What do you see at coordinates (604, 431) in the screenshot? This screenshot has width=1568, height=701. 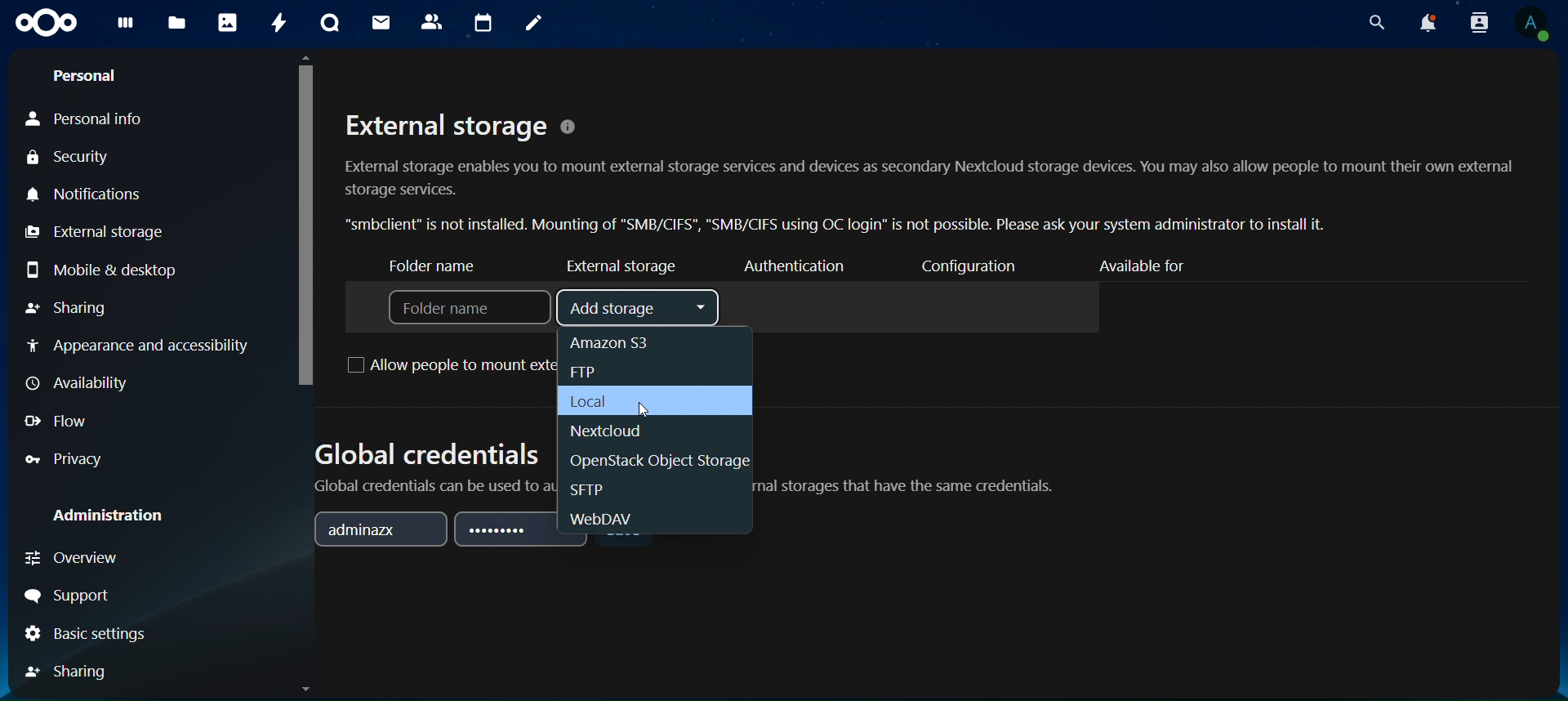 I see `nextcloud` at bounding box center [604, 431].